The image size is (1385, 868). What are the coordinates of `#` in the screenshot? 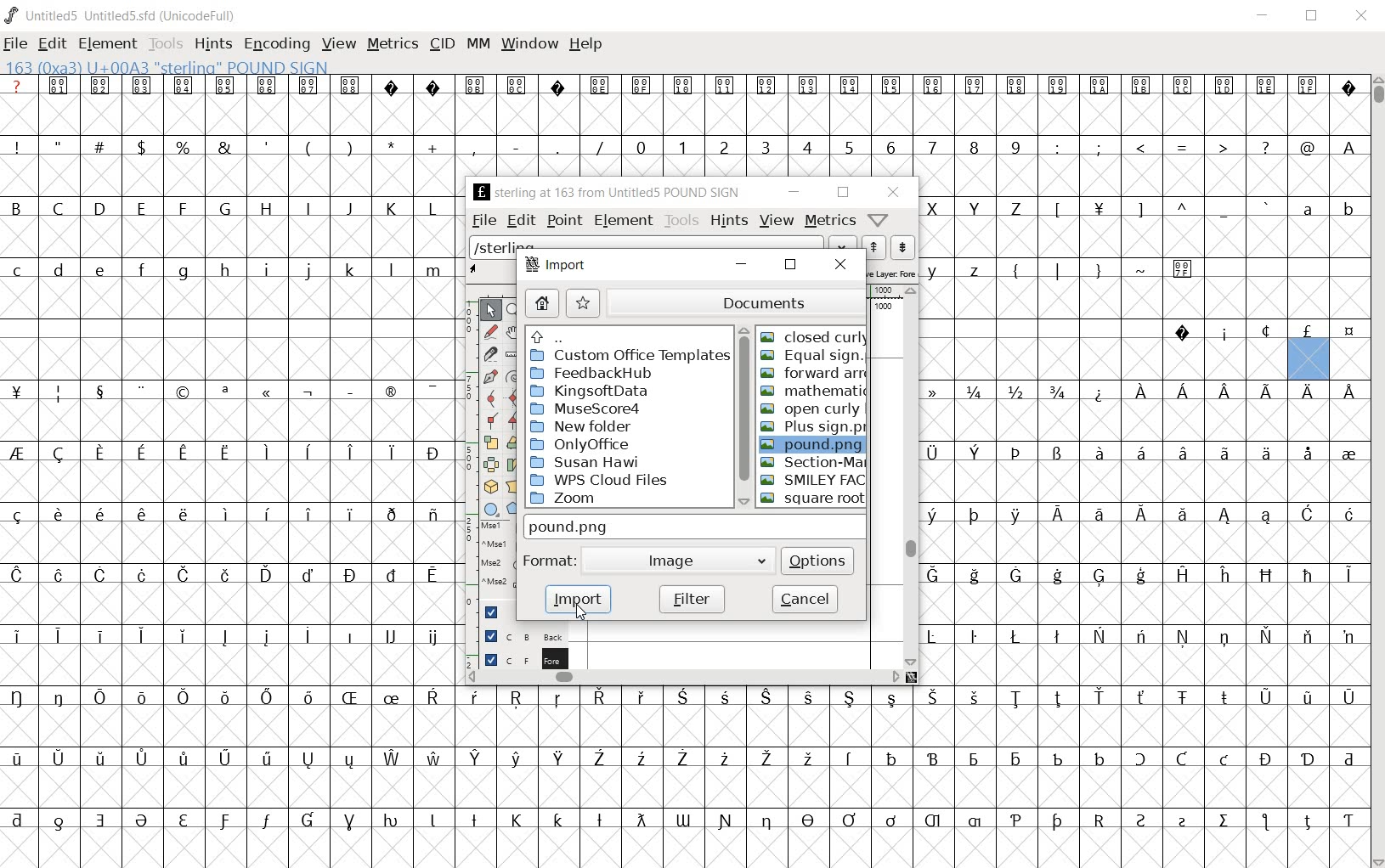 It's located at (104, 148).